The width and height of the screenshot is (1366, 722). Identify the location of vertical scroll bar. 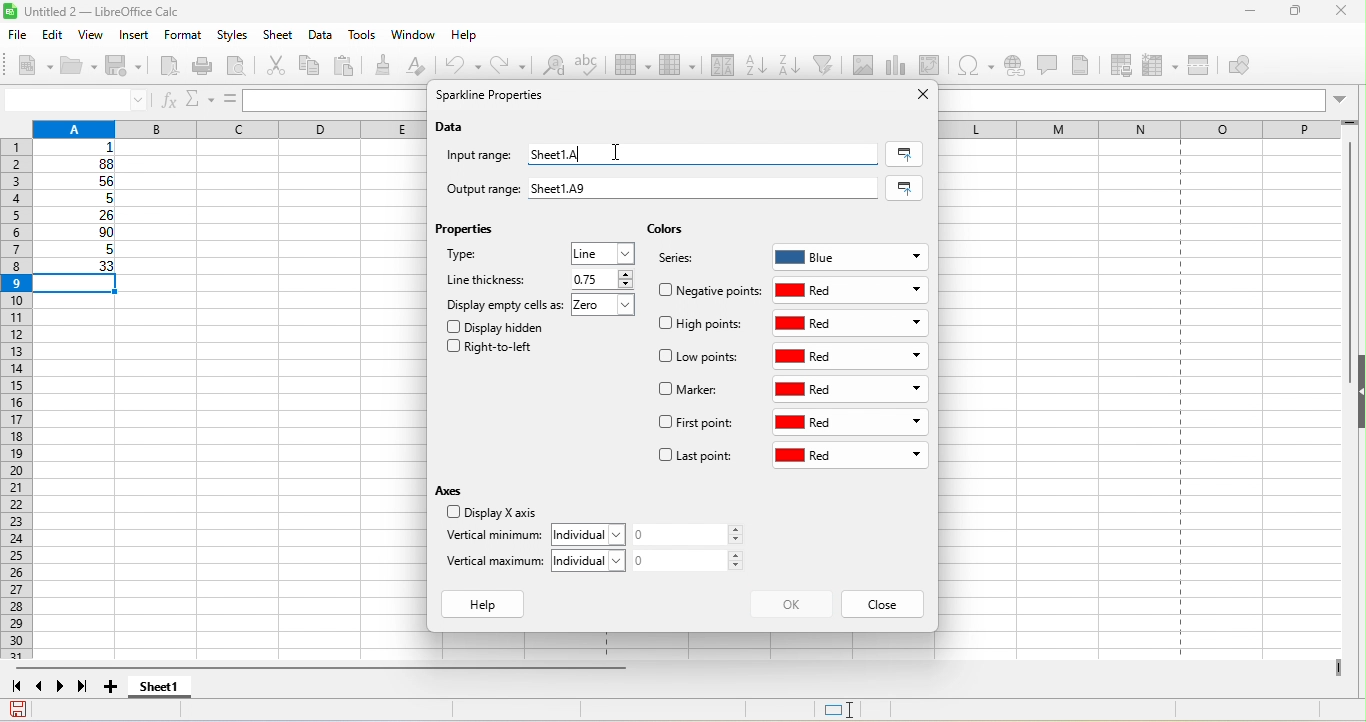
(1346, 262).